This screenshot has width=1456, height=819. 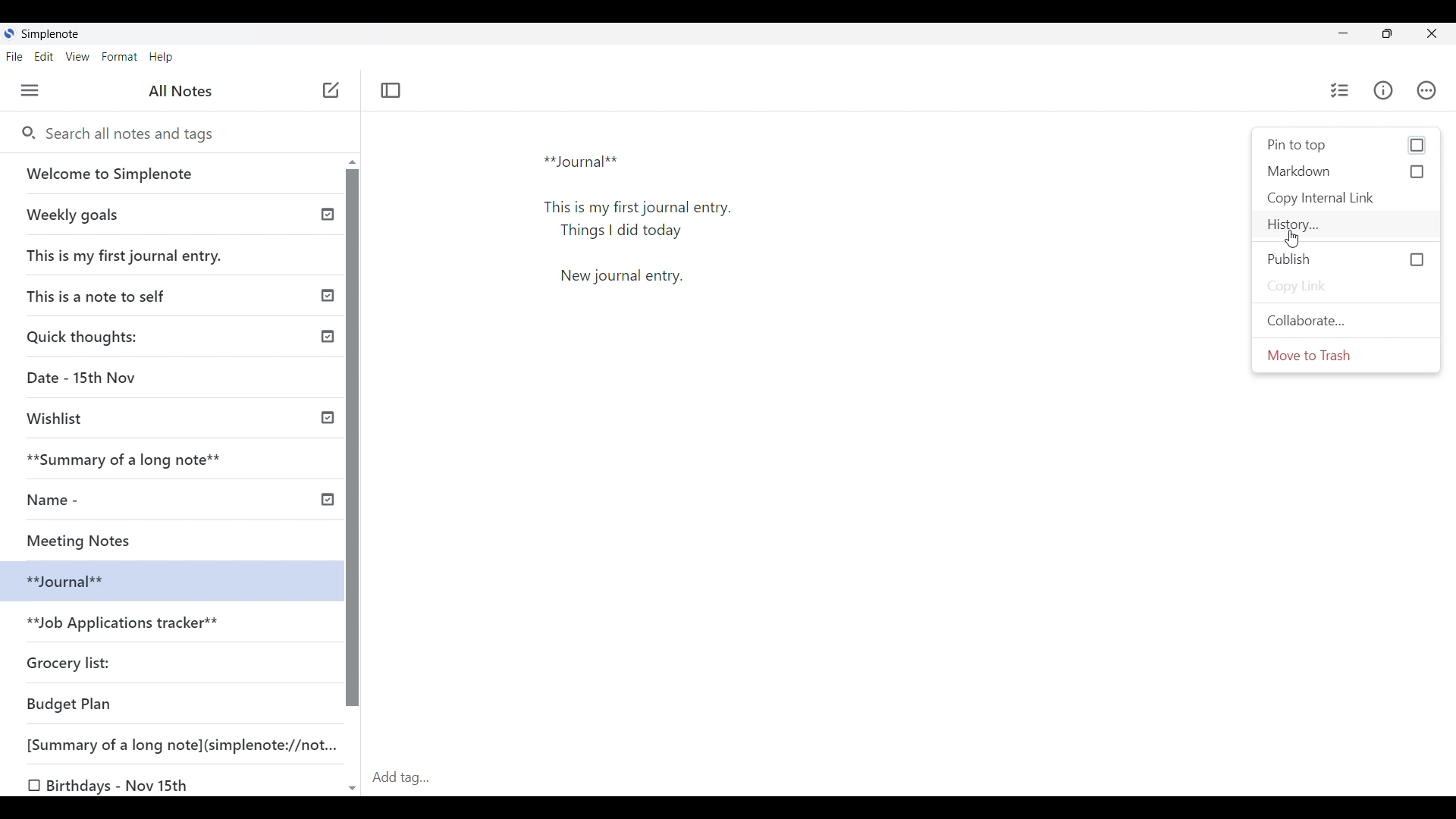 What do you see at coordinates (911, 779) in the screenshot?
I see `Click to type in tags` at bounding box center [911, 779].